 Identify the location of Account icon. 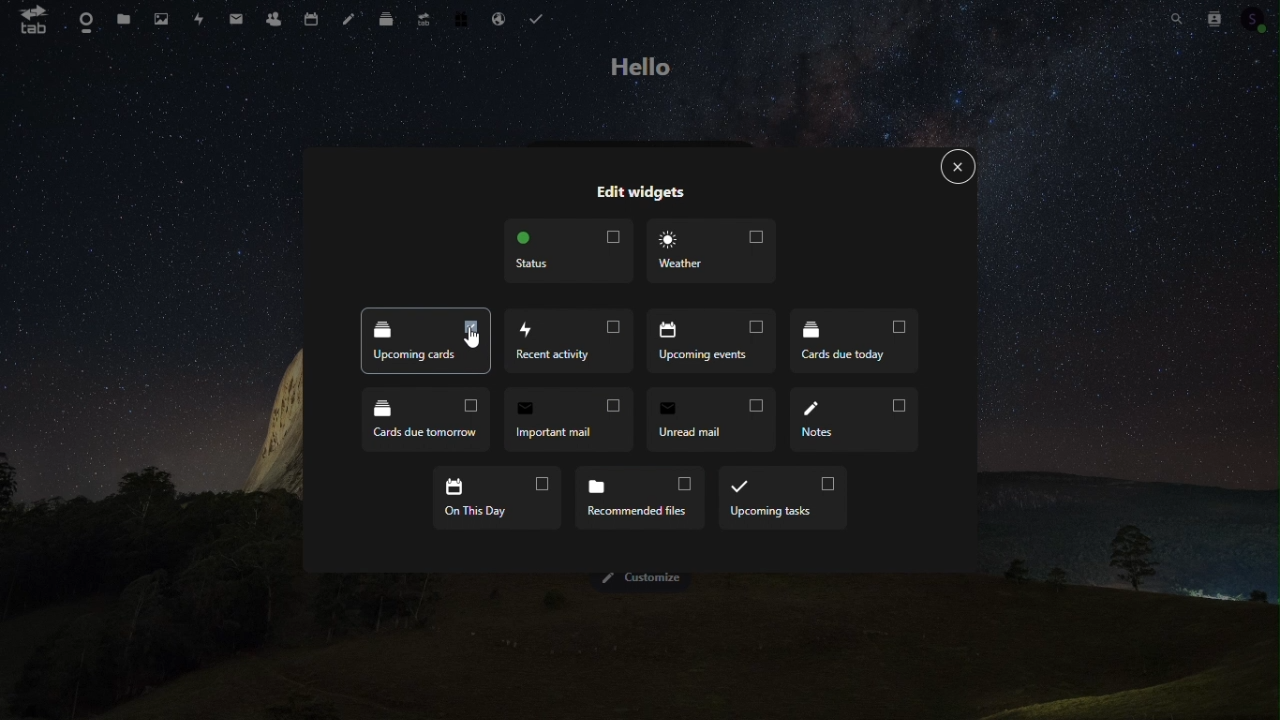
(1258, 19).